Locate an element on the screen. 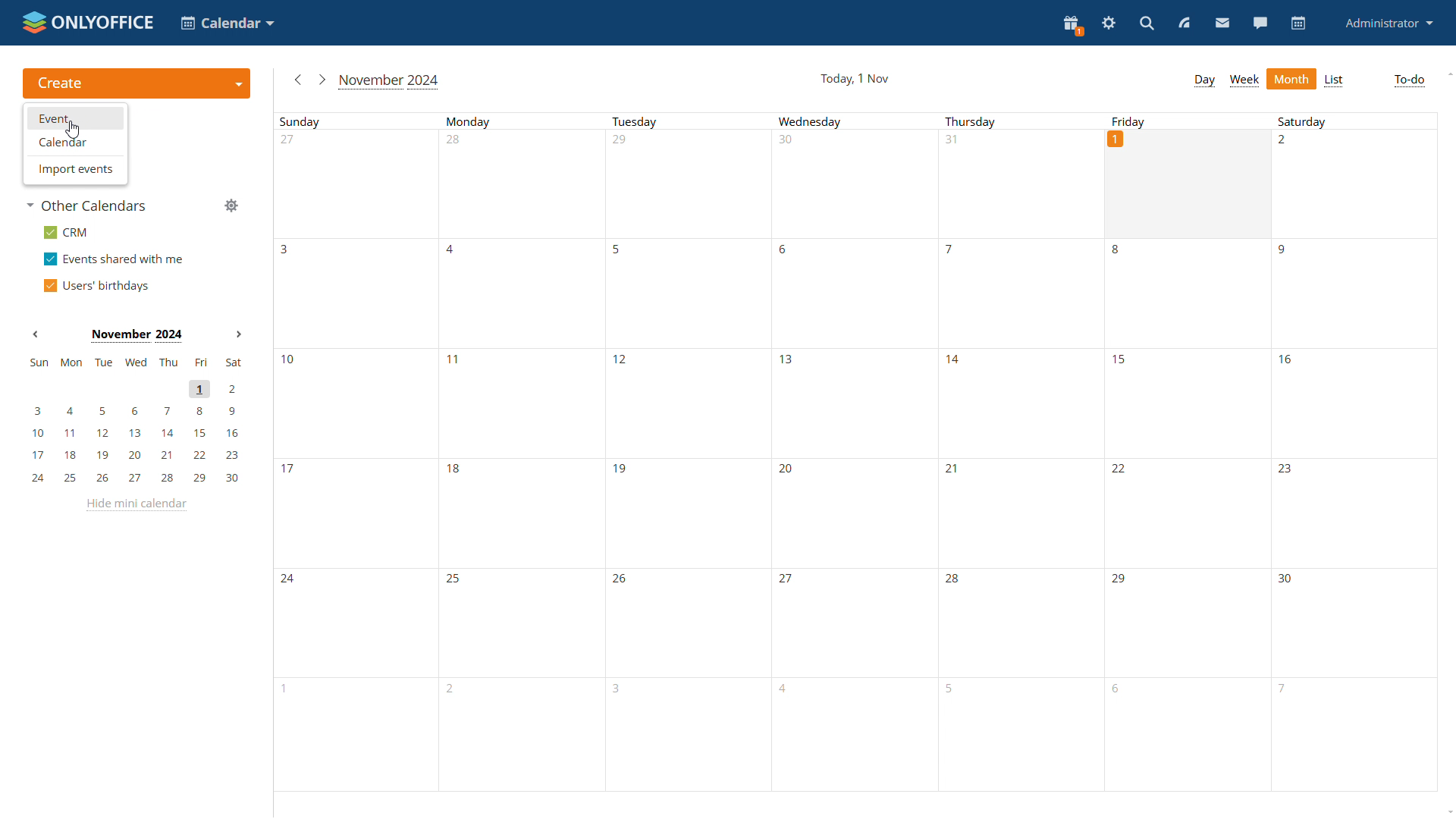  Previous month is located at coordinates (36, 334).